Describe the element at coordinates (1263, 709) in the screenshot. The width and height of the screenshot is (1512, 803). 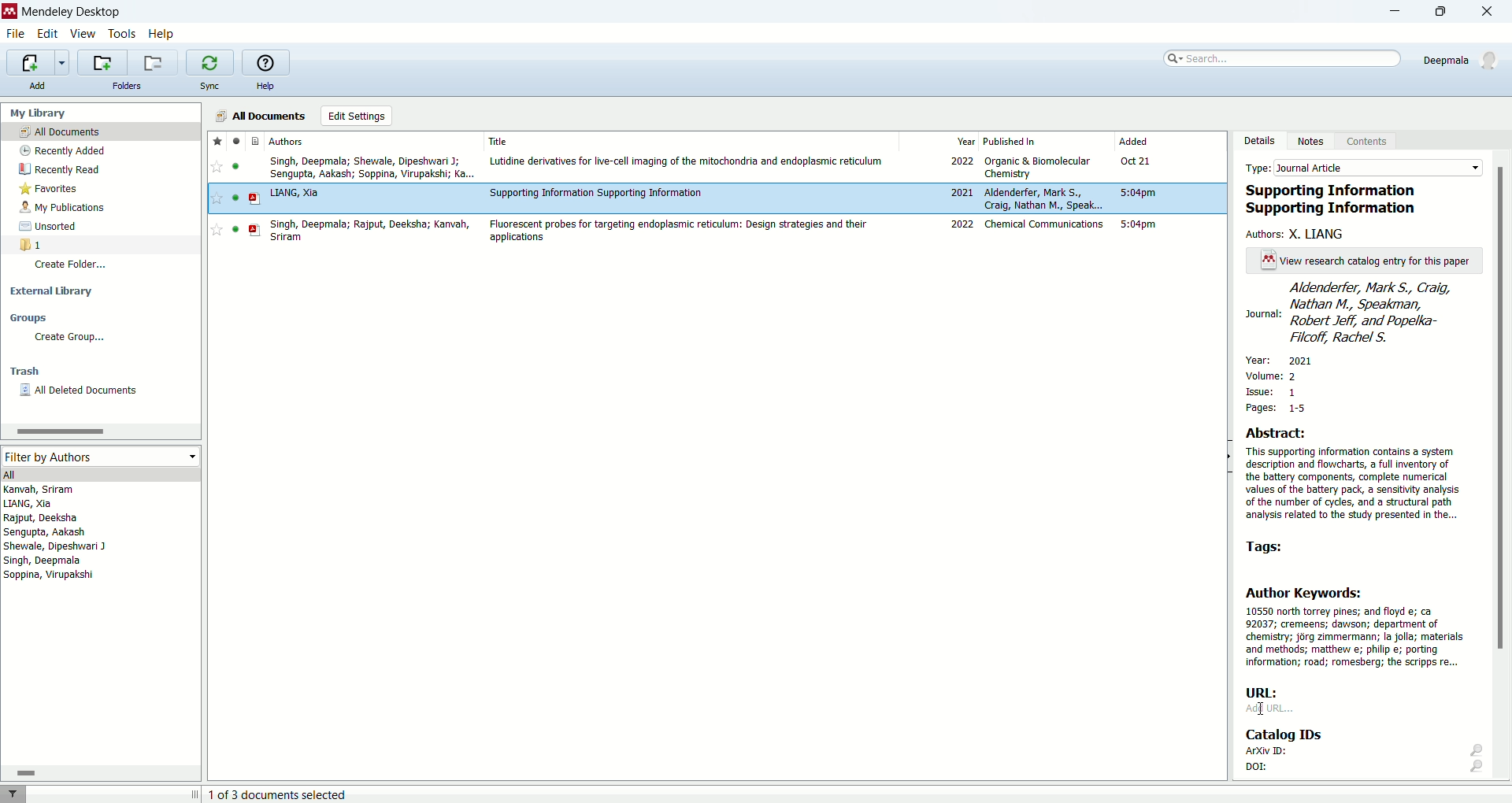
I see `cursor` at that location.